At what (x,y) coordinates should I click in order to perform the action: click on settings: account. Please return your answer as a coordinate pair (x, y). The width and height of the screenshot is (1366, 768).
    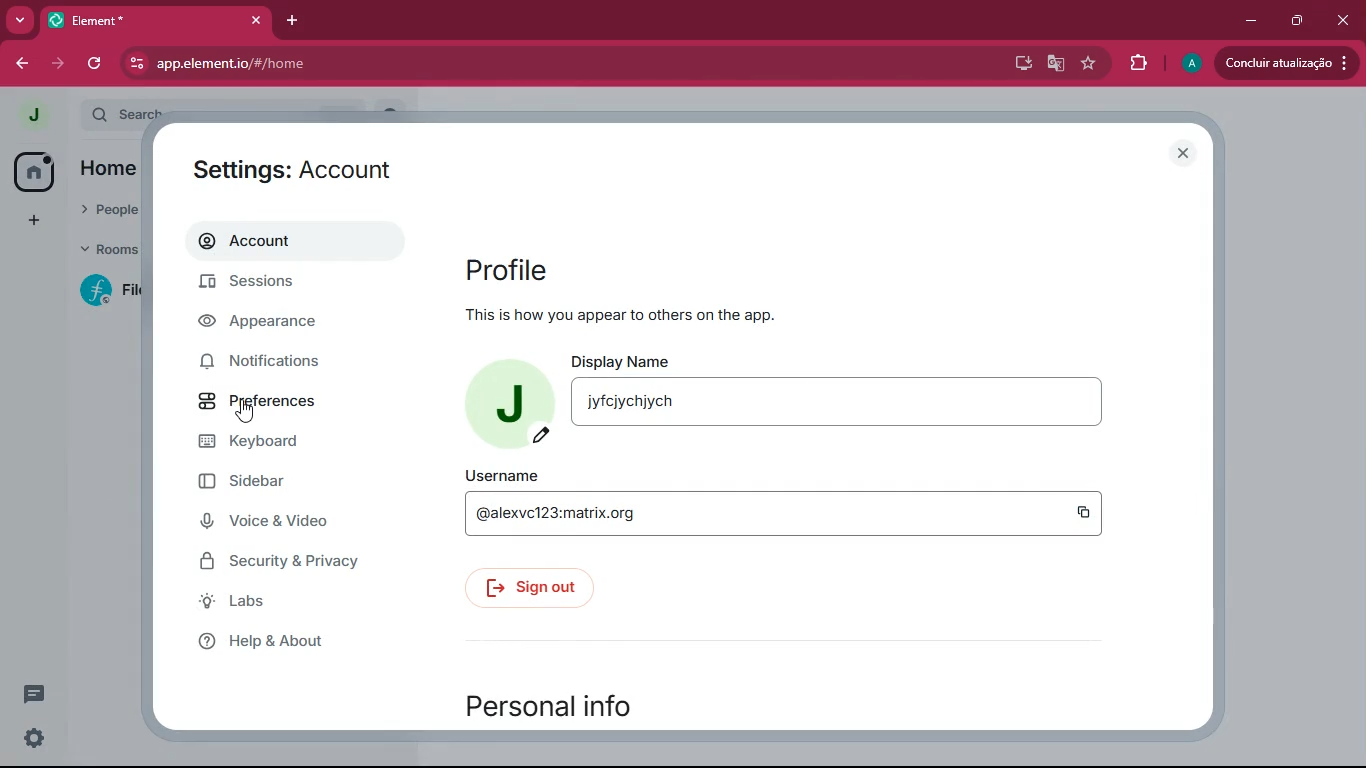
    Looking at the image, I should click on (301, 170).